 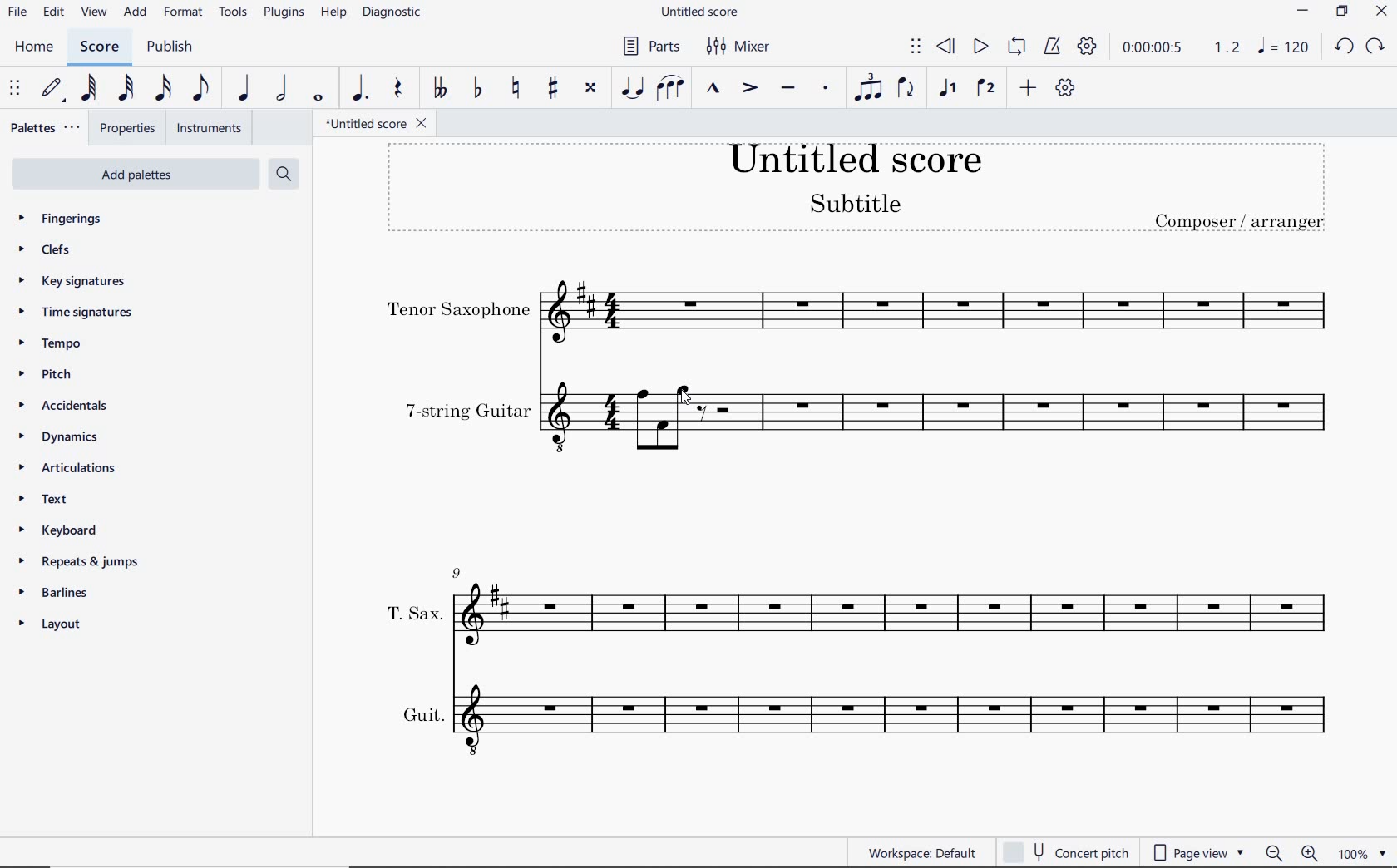 What do you see at coordinates (47, 127) in the screenshot?
I see `PALETTES` at bounding box center [47, 127].